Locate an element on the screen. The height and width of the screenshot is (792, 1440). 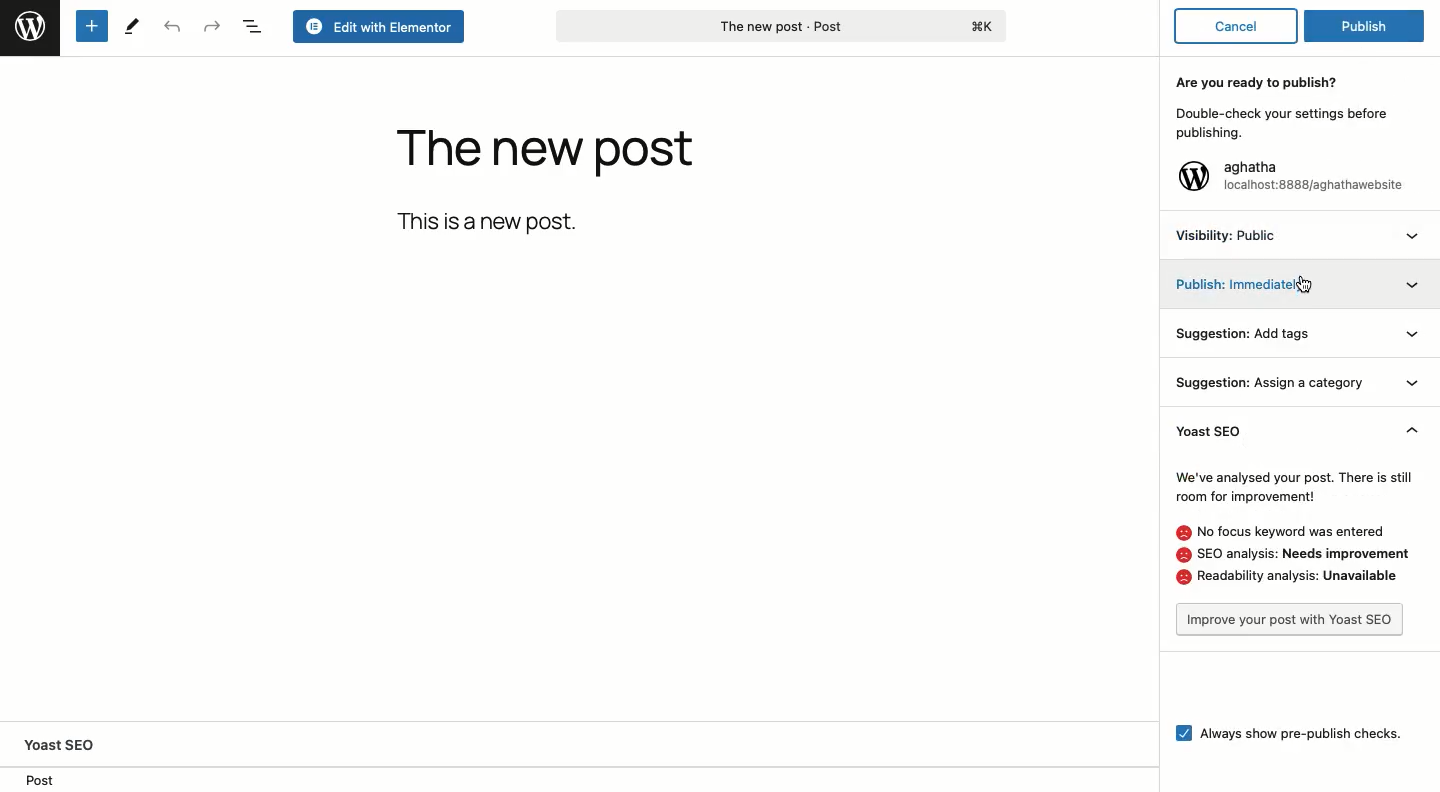
Yoast SEO is located at coordinates (1214, 433).